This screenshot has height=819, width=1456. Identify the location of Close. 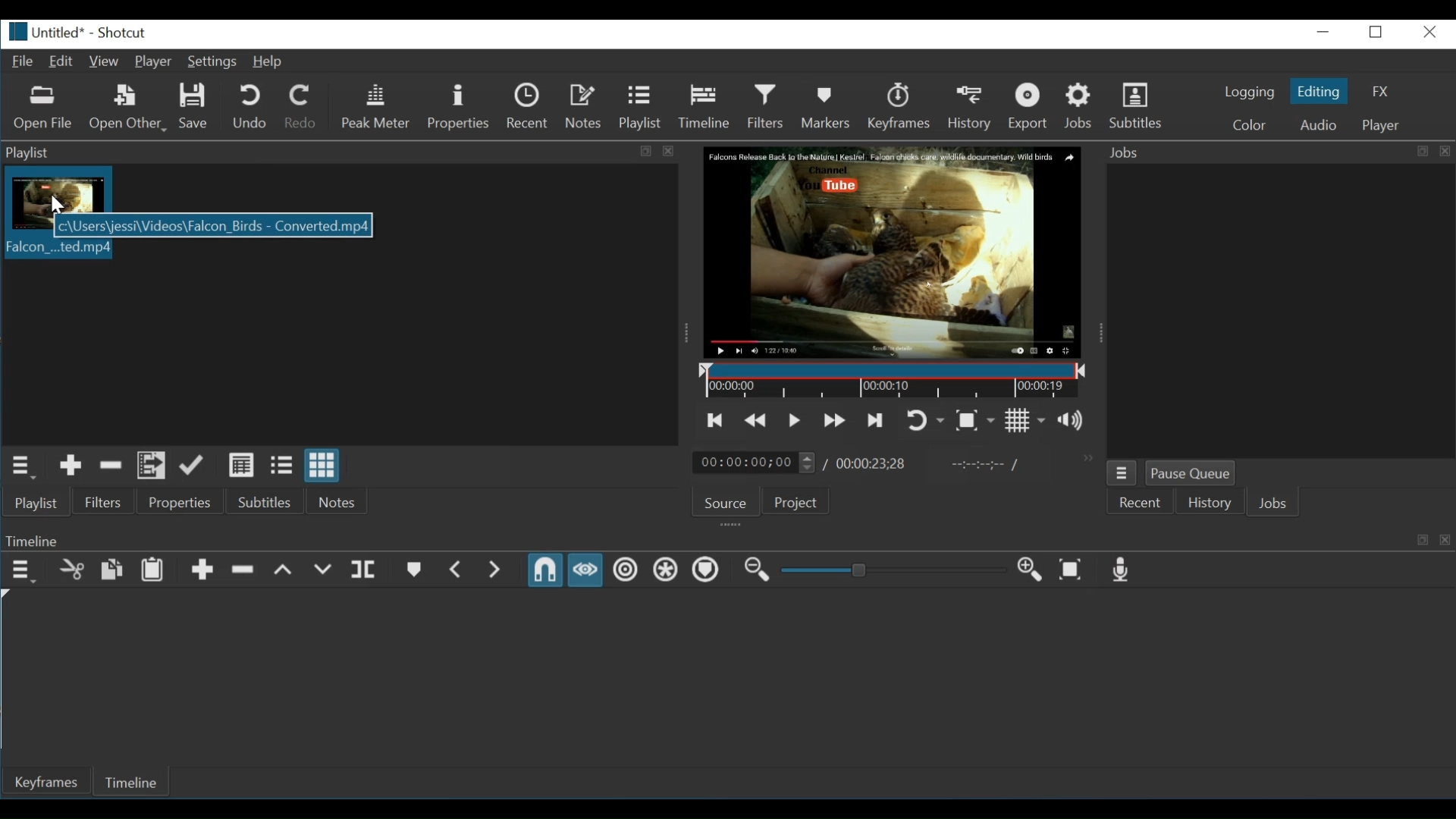
(1427, 32).